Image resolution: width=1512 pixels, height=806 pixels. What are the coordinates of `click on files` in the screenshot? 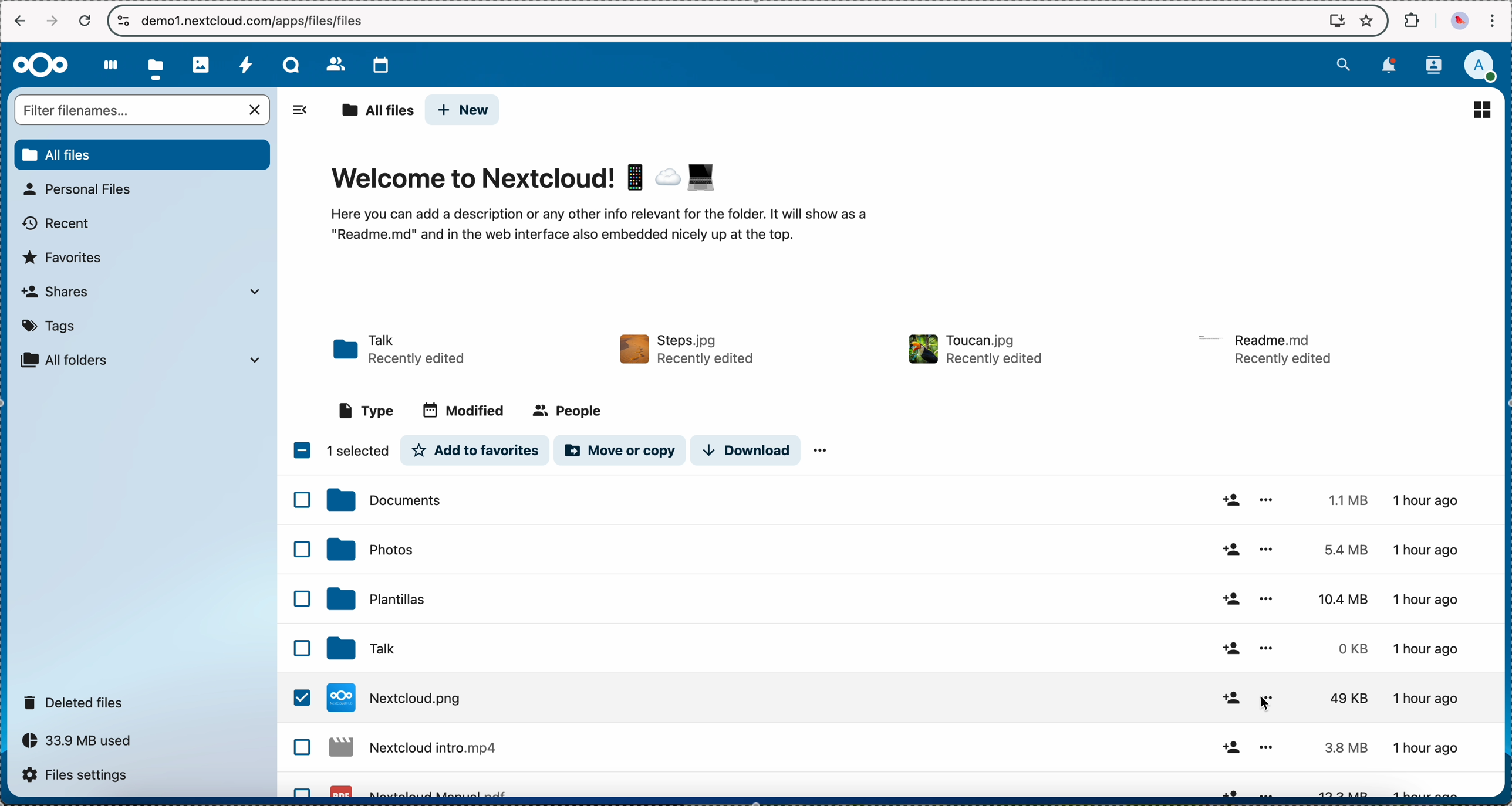 It's located at (158, 65).